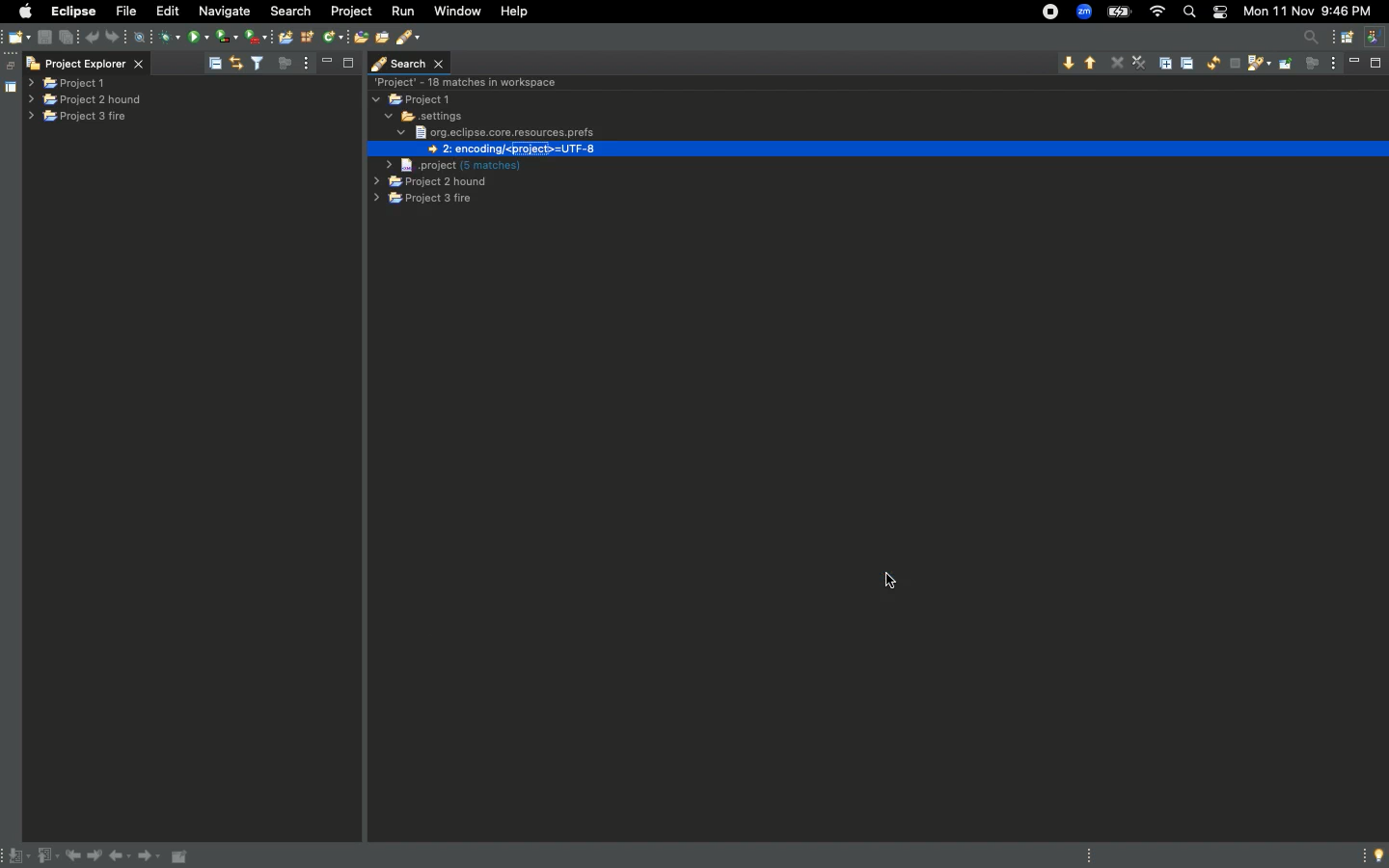 Image resolution: width=1389 pixels, height=868 pixels. Describe the element at coordinates (1335, 63) in the screenshot. I see `view menu` at that location.